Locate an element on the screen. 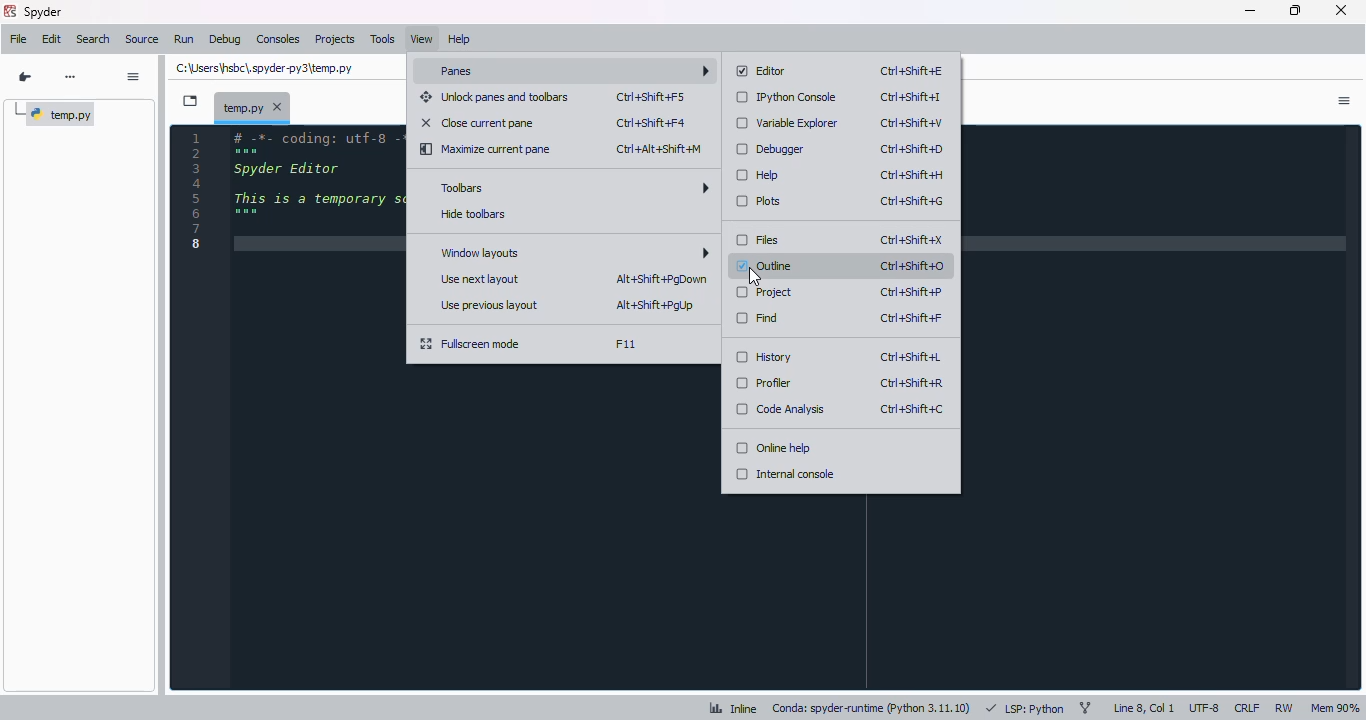 The image size is (1366, 720). files is located at coordinates (758, 240).